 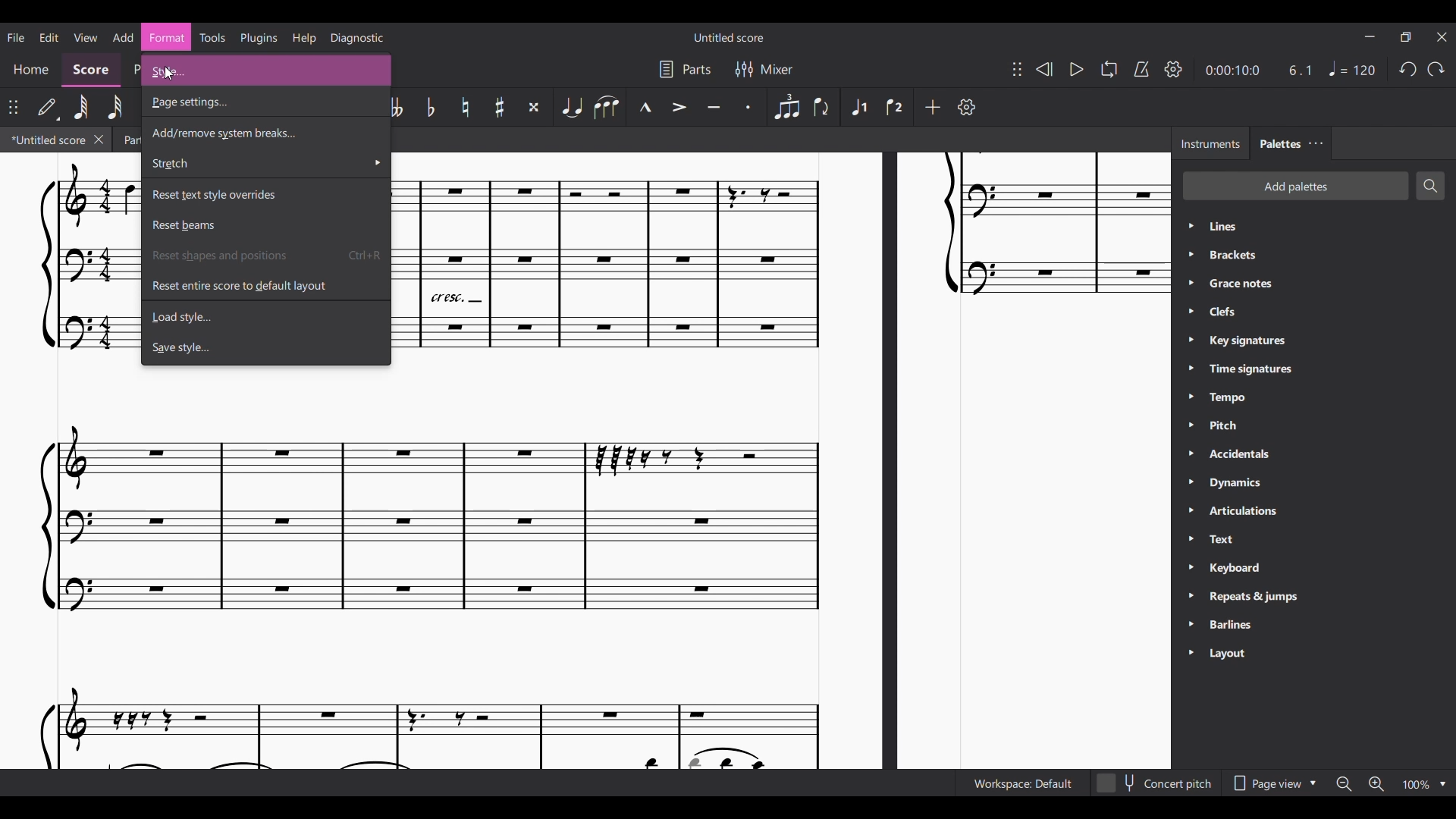 I want to click on Help menu, so click(x=304, y=38).